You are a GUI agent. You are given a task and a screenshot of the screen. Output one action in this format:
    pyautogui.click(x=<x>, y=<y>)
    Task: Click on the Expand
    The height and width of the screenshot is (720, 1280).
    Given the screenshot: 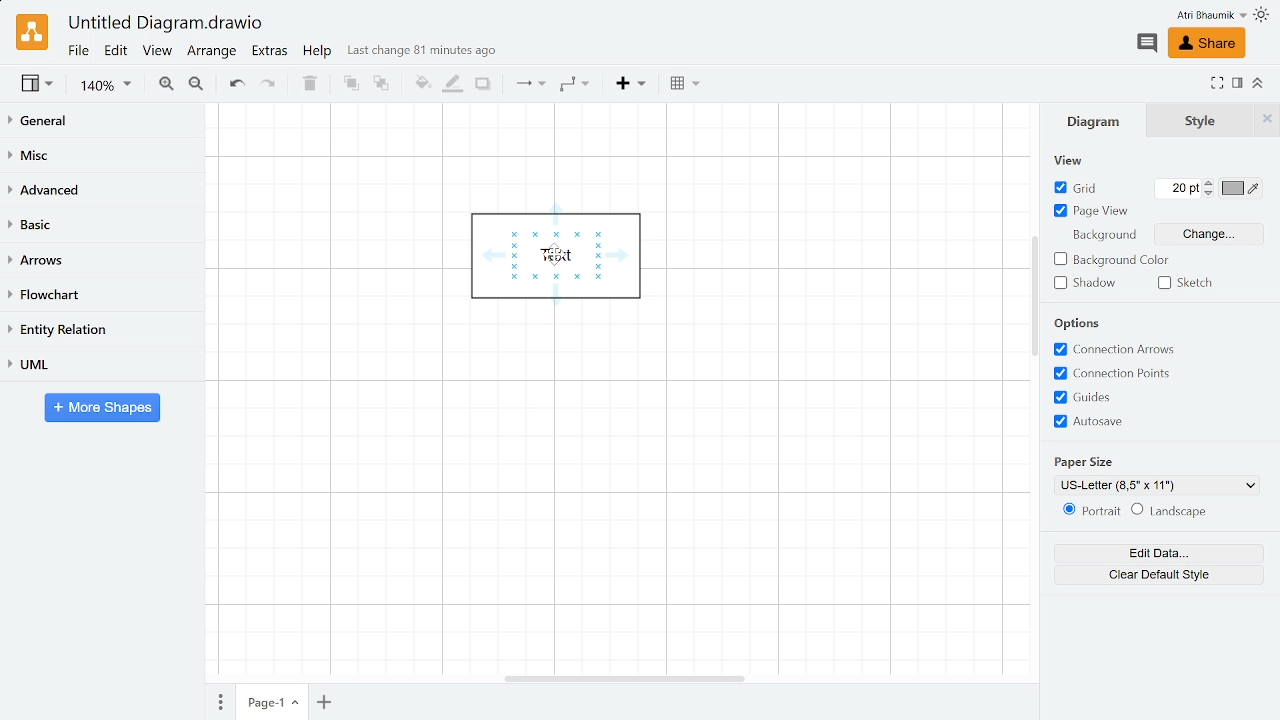 What is the action you would take?
    pyautogui.click(x=1217, y=82)
    